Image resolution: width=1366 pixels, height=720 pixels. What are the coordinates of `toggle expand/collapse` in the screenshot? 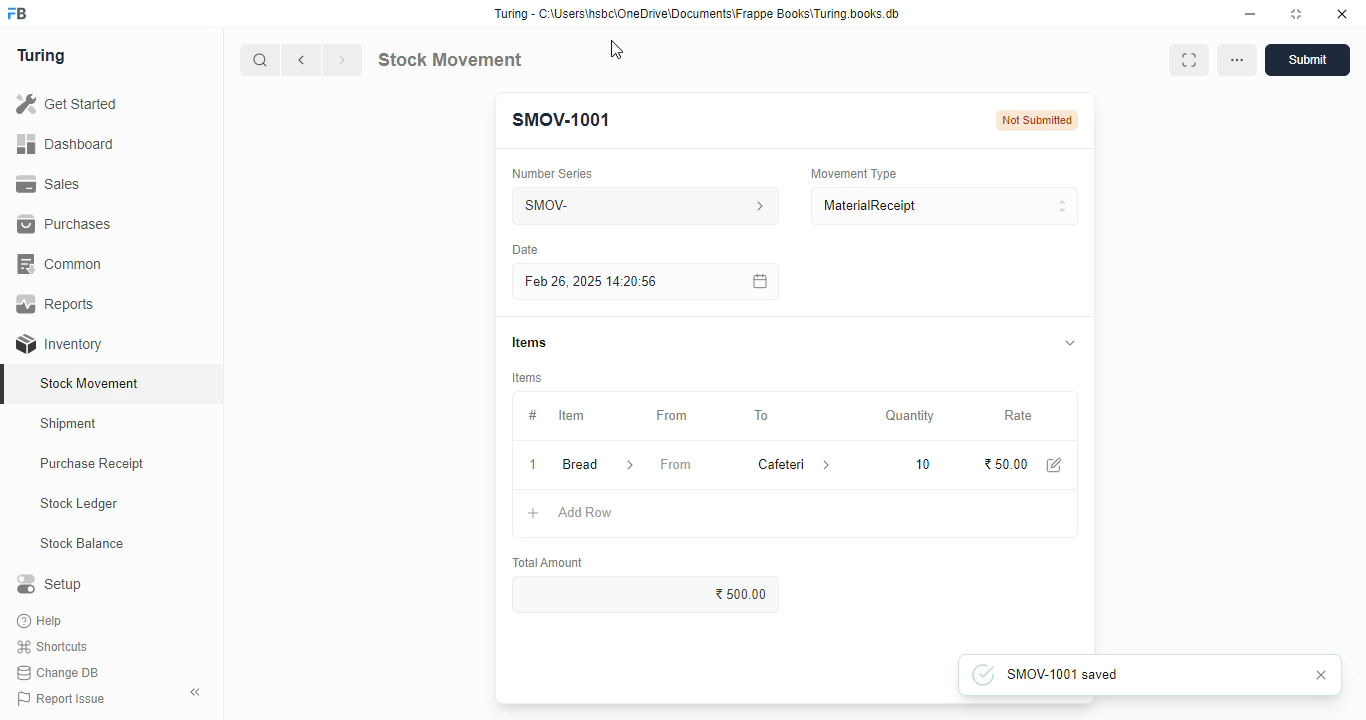 It's located at (1071, 342).